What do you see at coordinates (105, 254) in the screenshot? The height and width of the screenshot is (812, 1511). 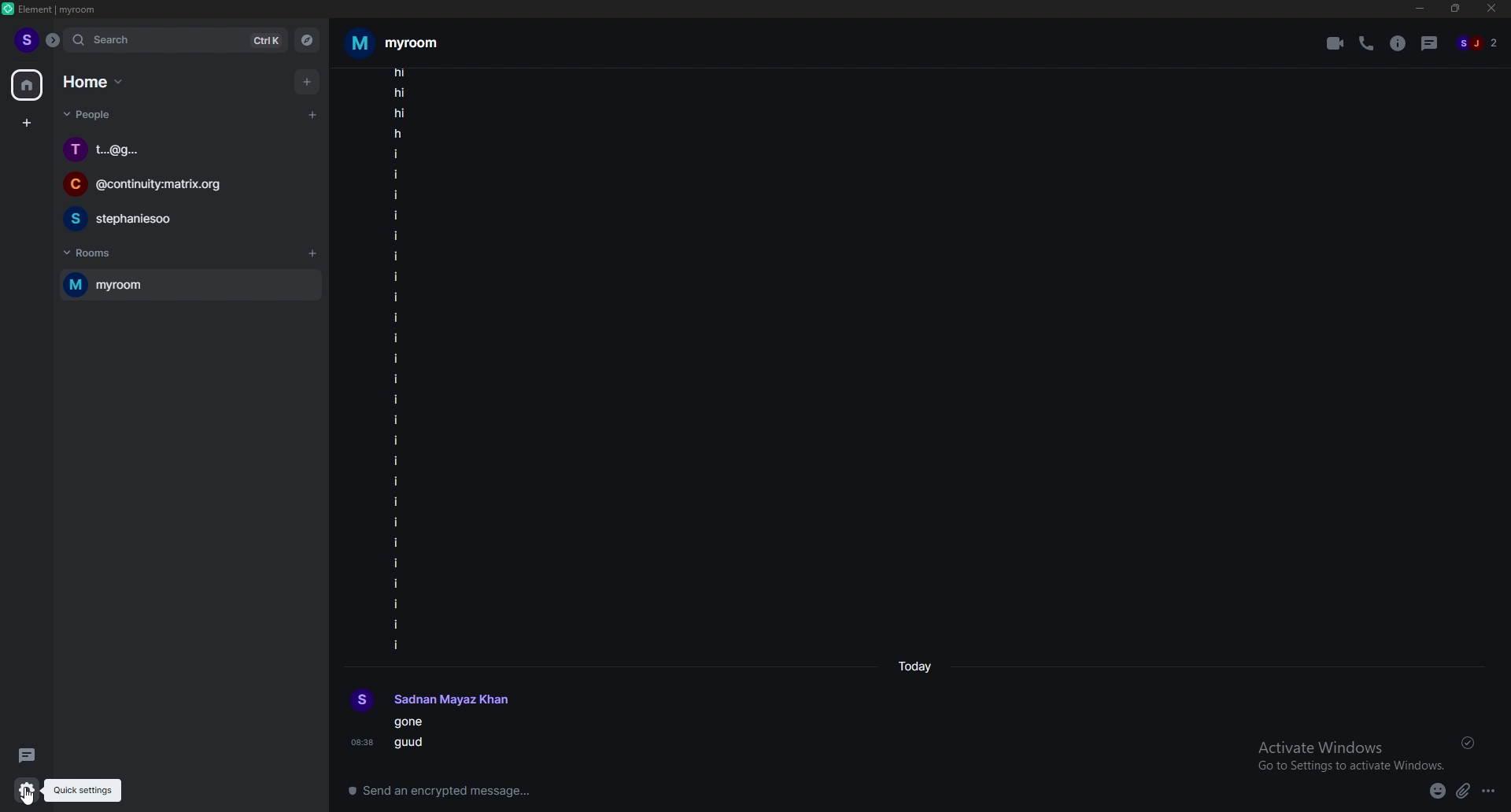 I see `rooms` at bounding box center [105, 254].